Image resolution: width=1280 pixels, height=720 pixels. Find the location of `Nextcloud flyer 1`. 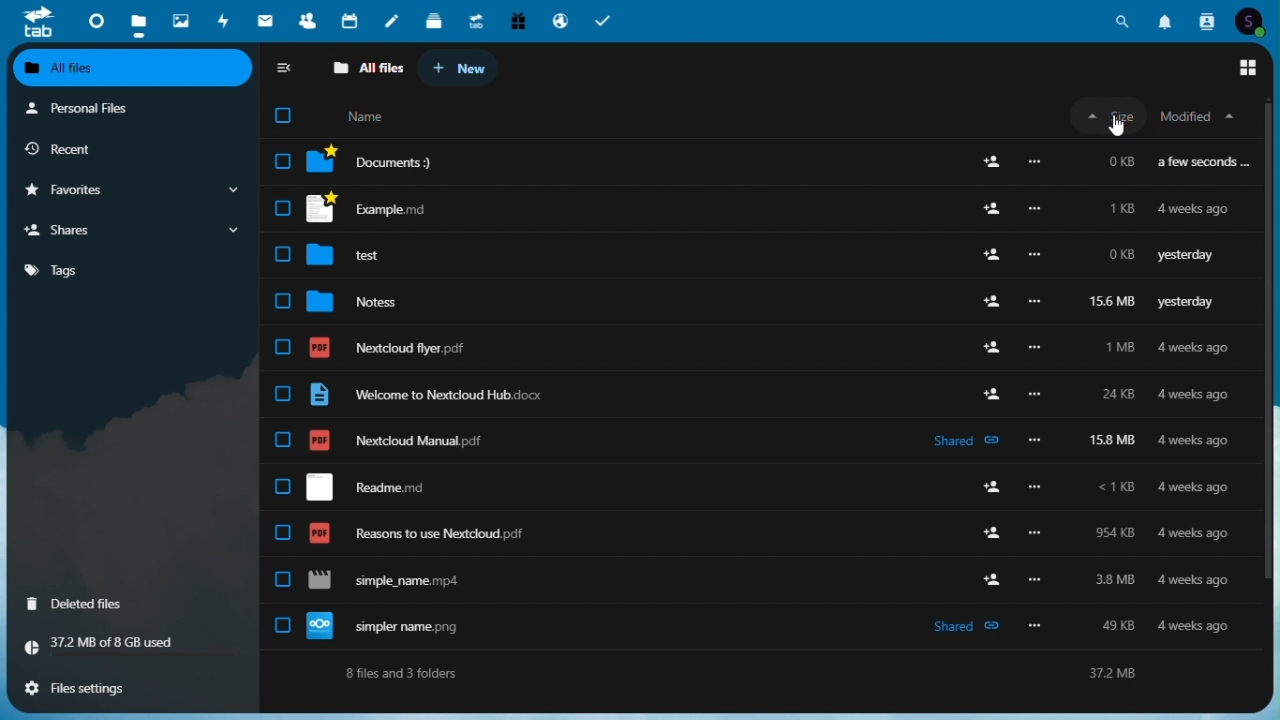

Nextcloud flyer 1 is located at coordinates (751, 347).